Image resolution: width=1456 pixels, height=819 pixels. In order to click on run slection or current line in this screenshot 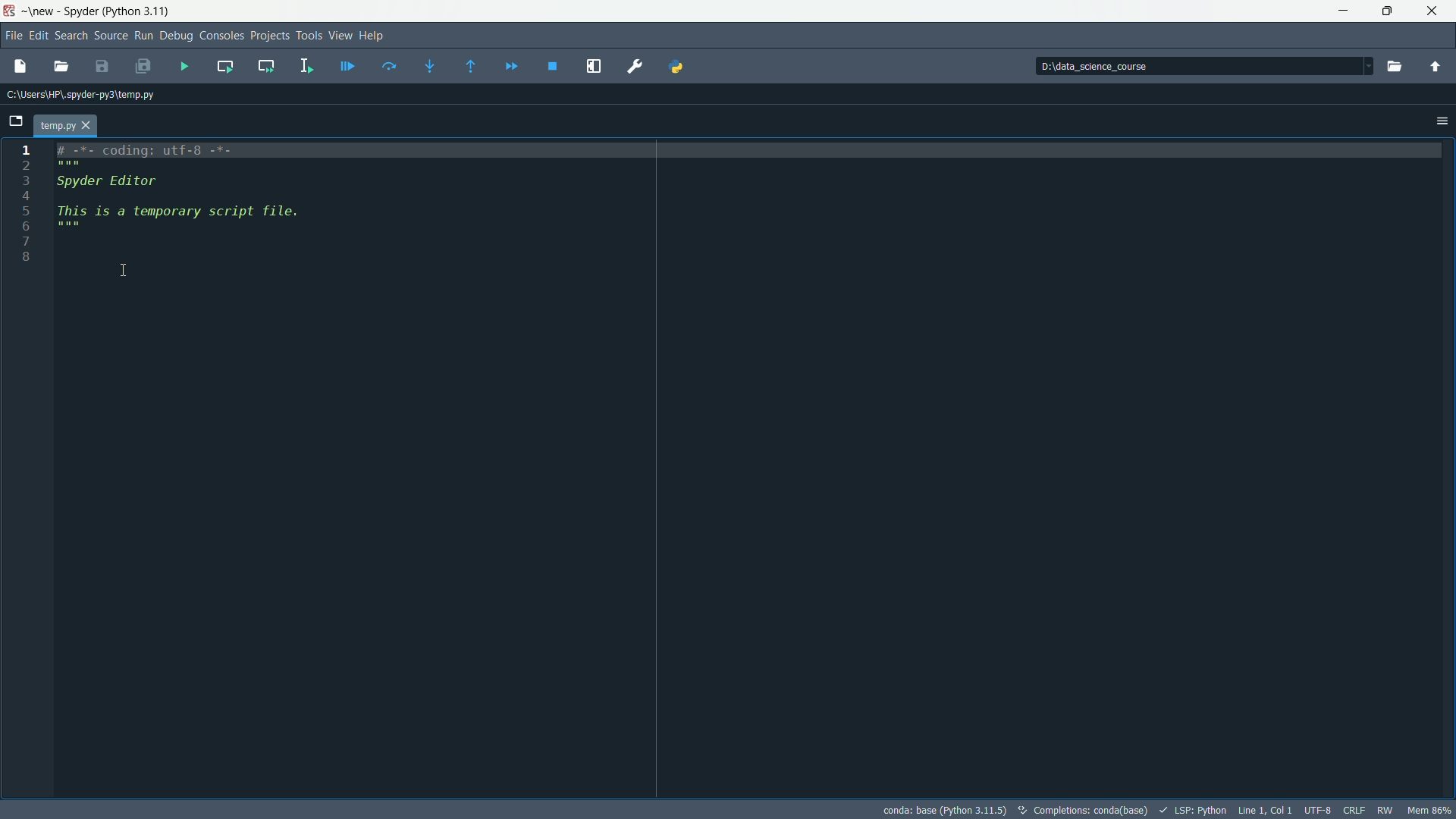, I will do `click(303, 66)`.